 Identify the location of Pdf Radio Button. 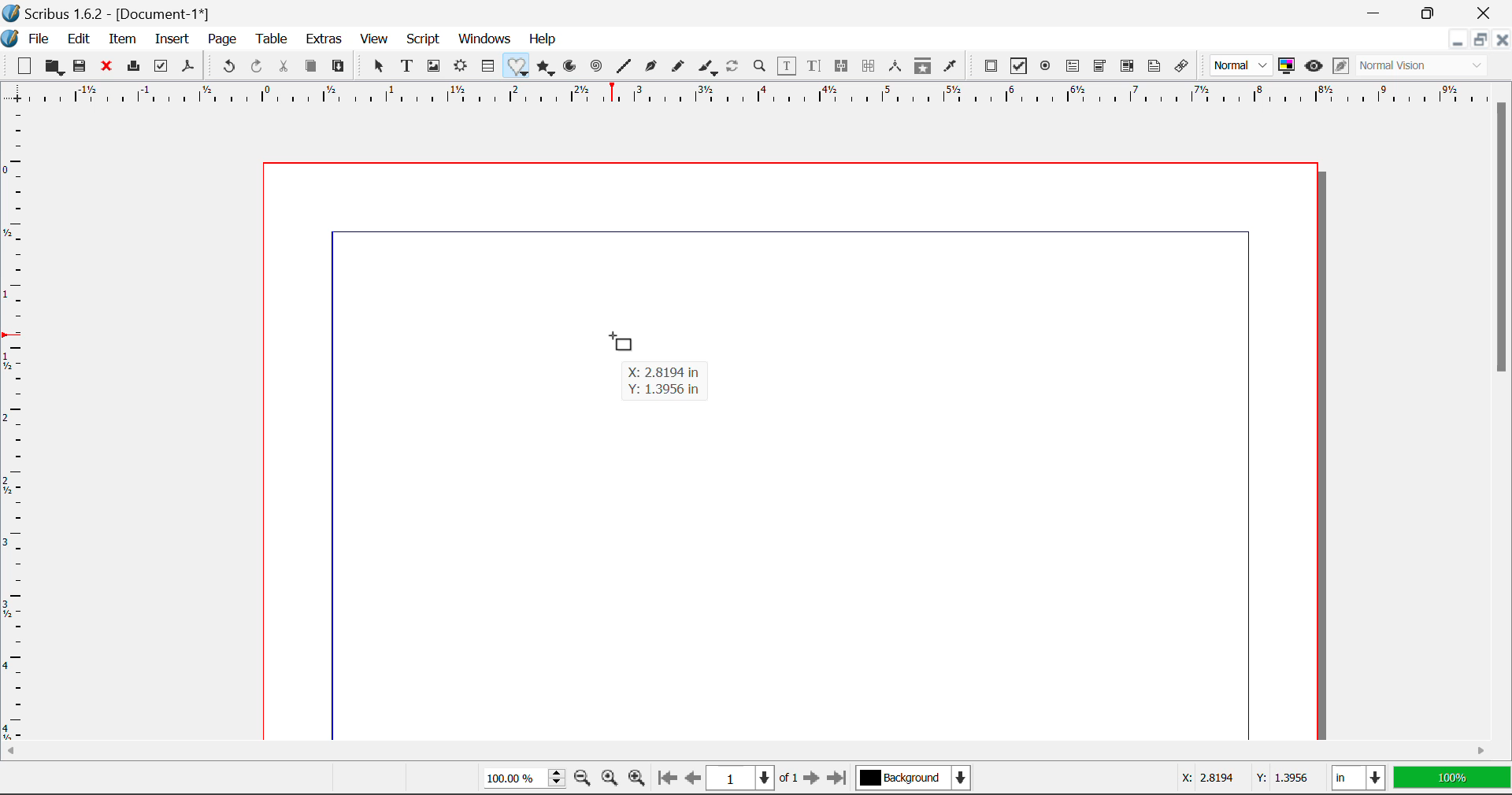
(1047, 68).